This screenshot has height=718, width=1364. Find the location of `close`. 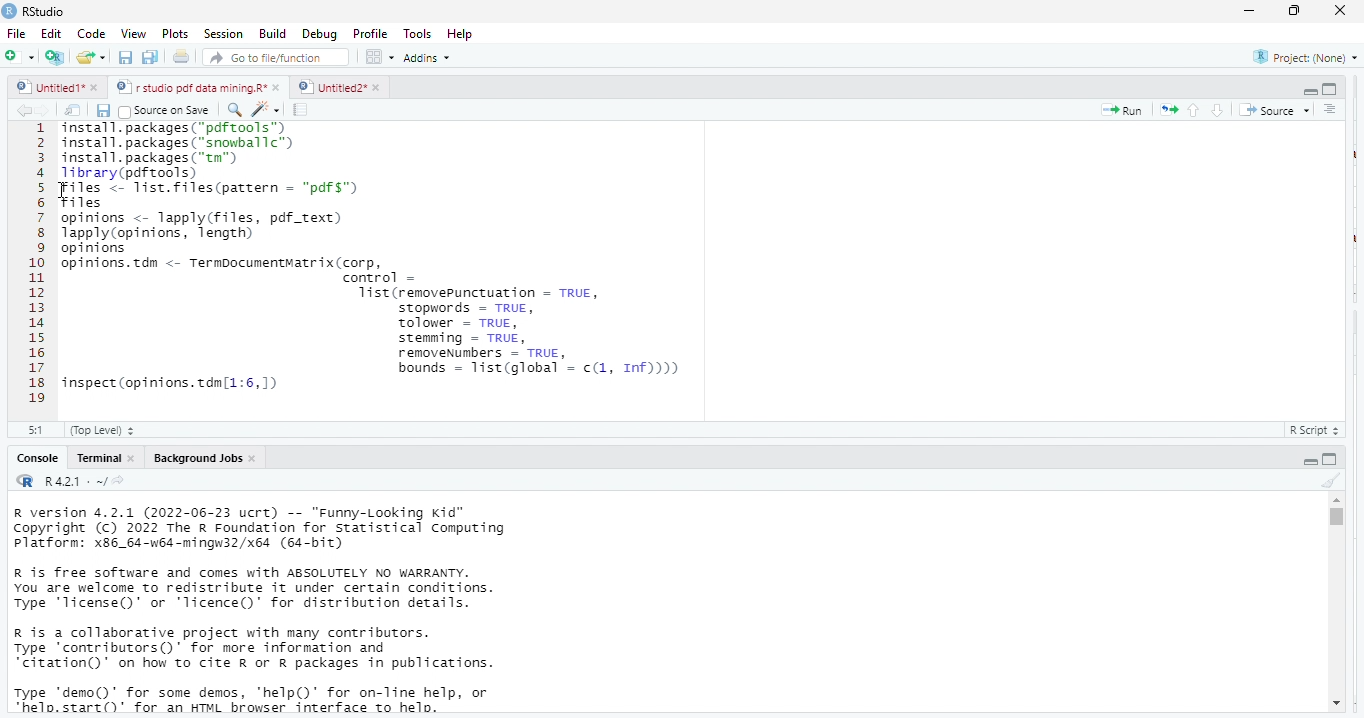

close is located at coordinates (1342, 11).